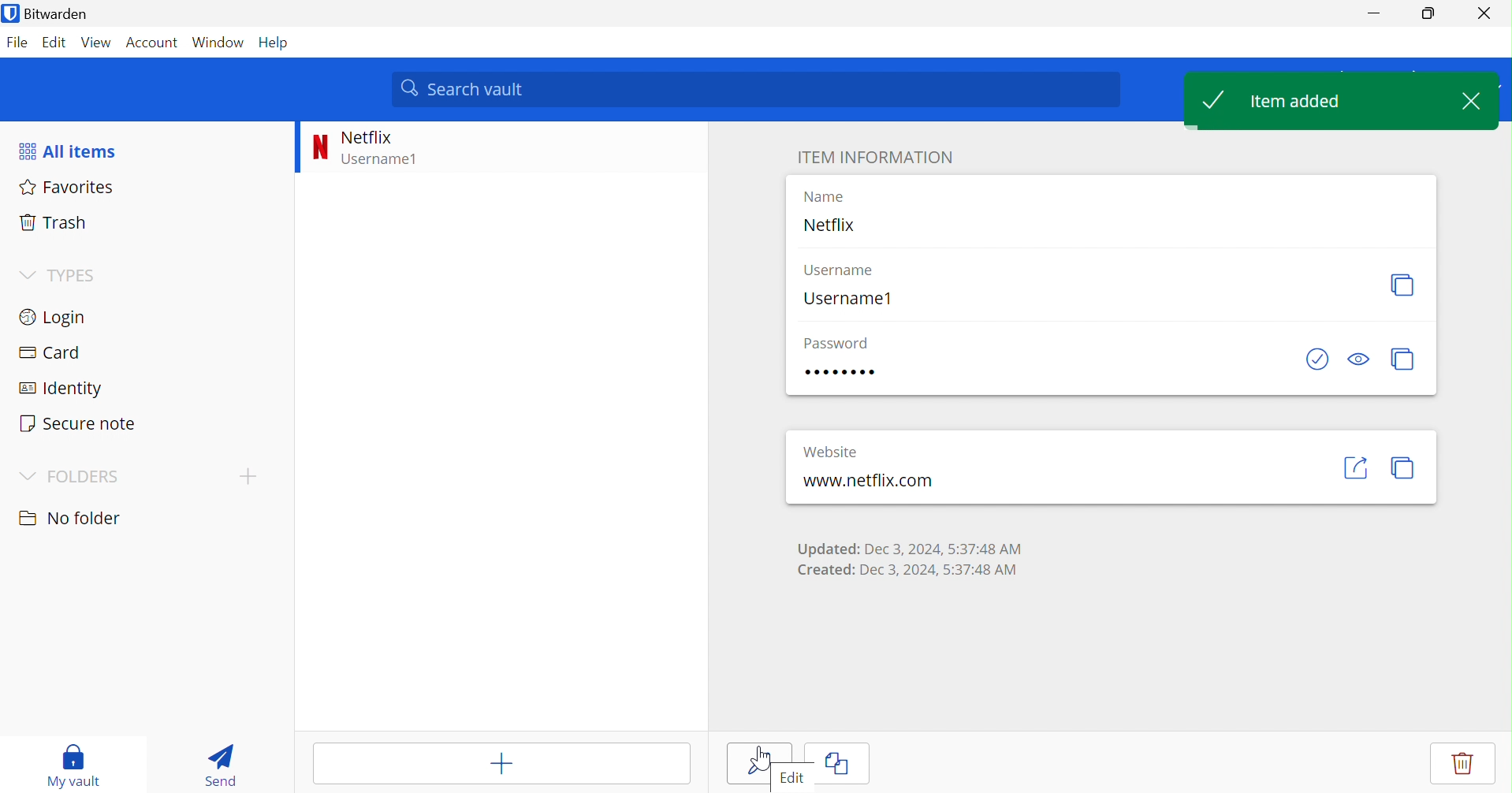 The height and width of the screenshot is (793, 1512). What do you see at coordinates (1406, 467) in the screenshot?
I see `Copy URI` at bounding box center [1406, 467].